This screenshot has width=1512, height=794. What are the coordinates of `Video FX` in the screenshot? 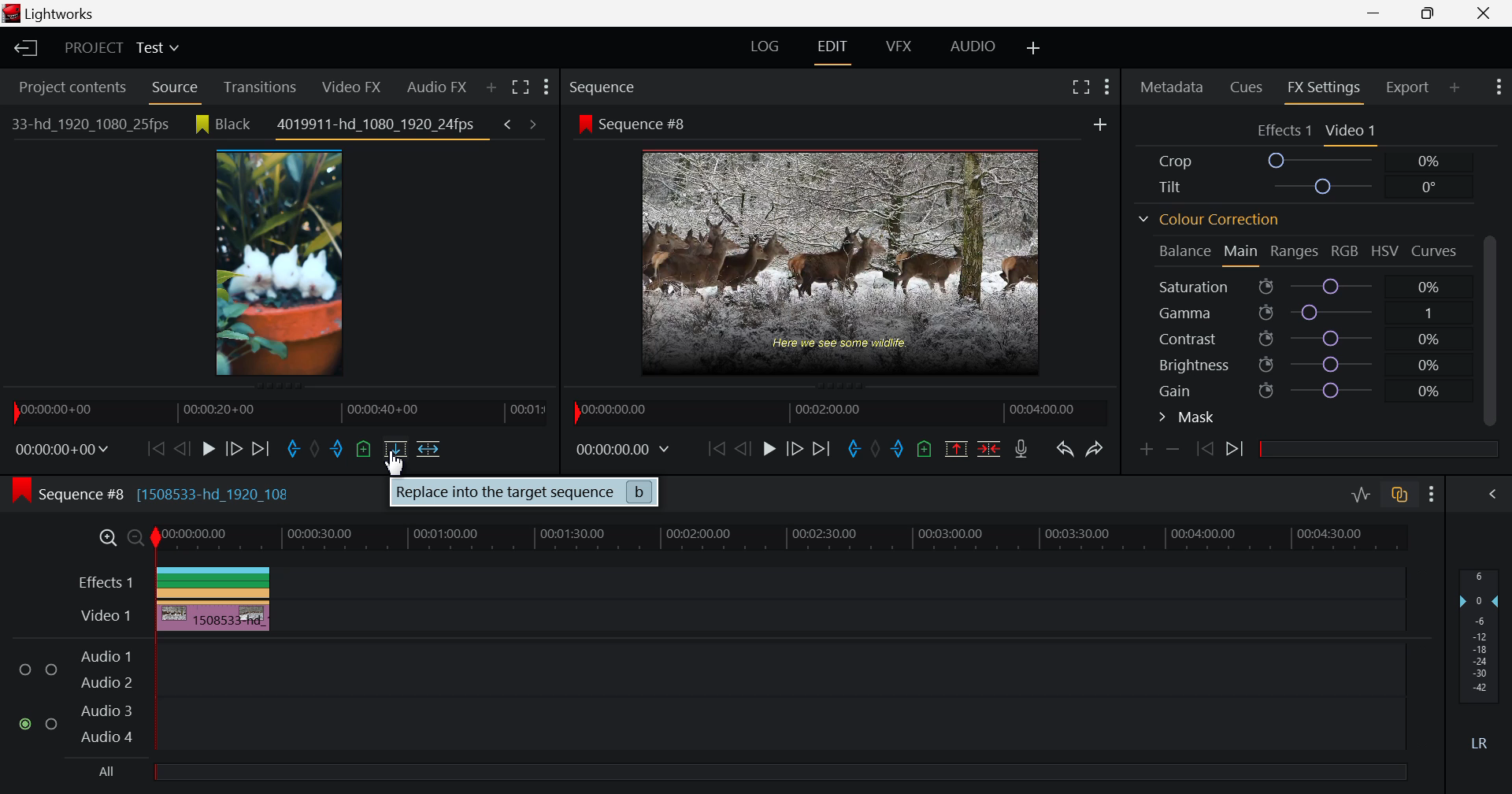 It's located at (350, 87).